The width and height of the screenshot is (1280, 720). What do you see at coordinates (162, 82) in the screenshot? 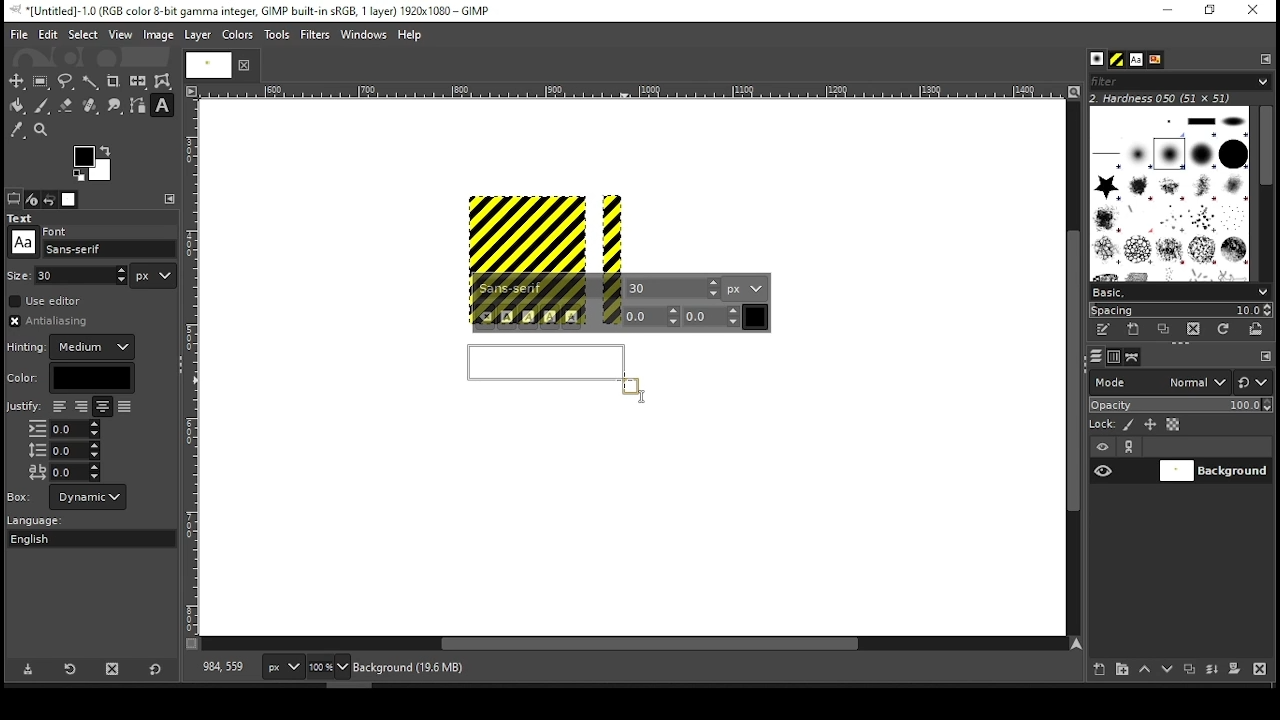
I see `warp transform tool` at bounding box center [162, 82].